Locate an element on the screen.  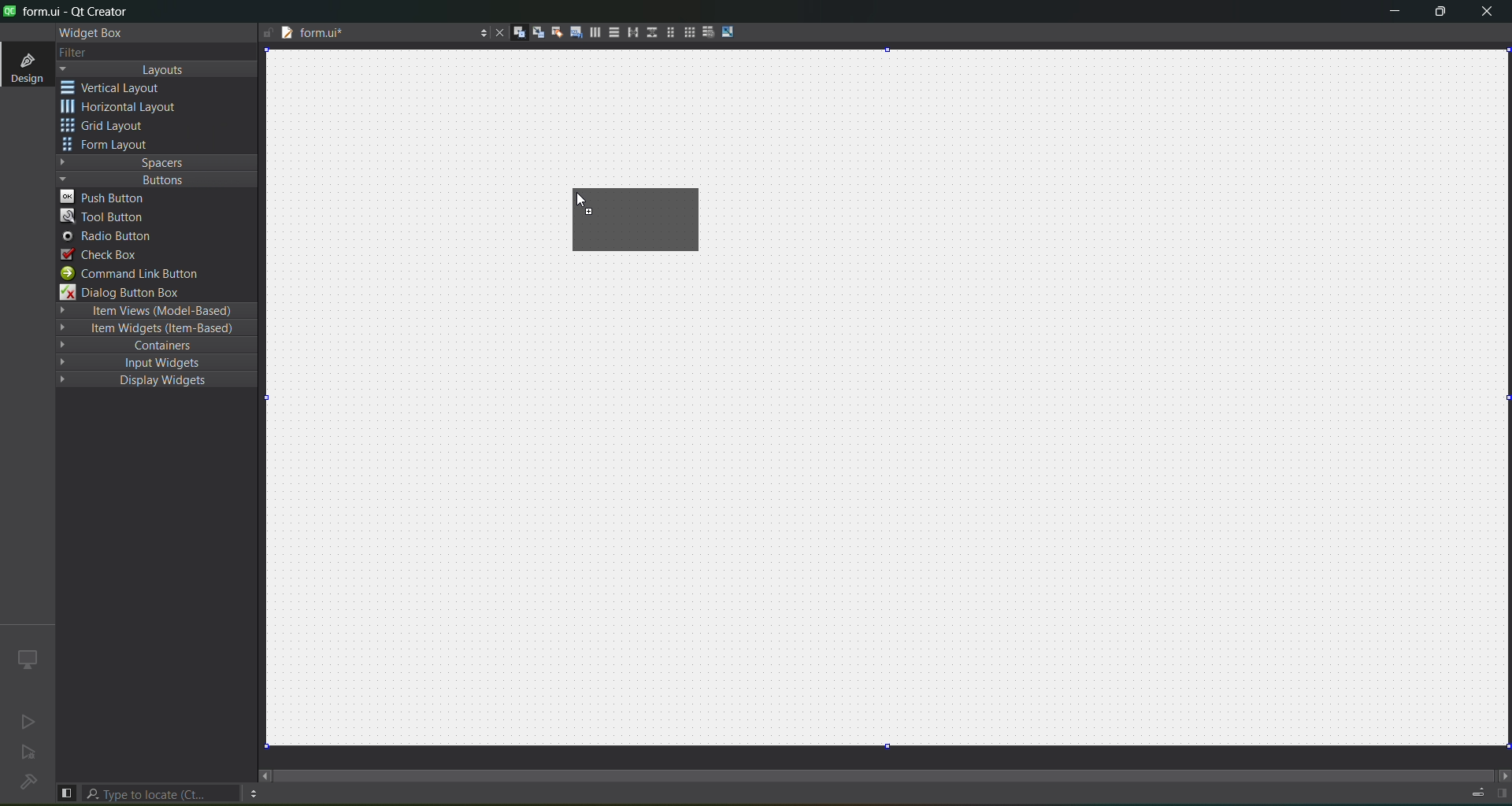
form layout is located at coordinates (667, 32).